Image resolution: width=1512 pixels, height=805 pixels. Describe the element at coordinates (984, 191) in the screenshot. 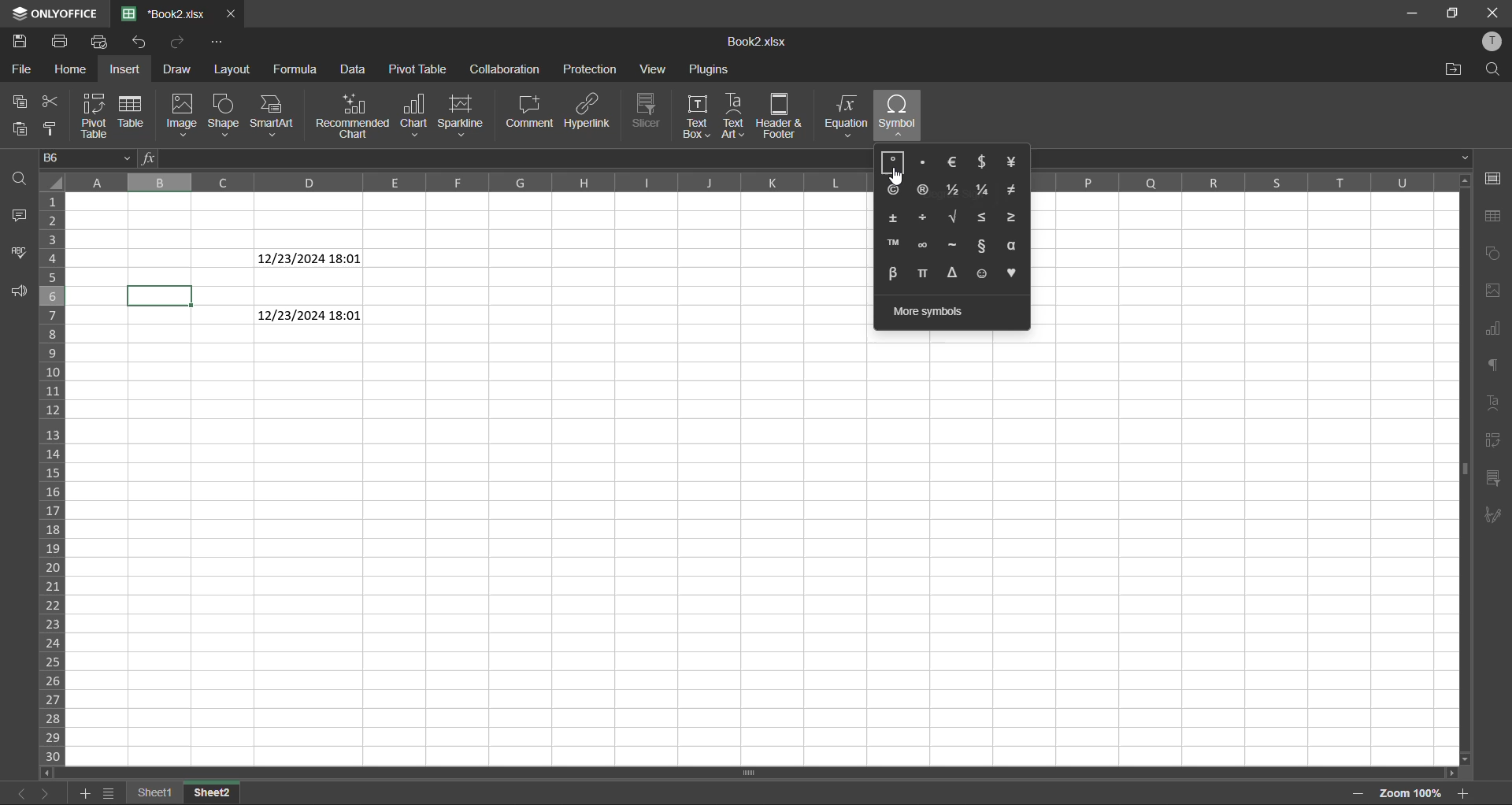

I see `one quarter fraction` at that location.